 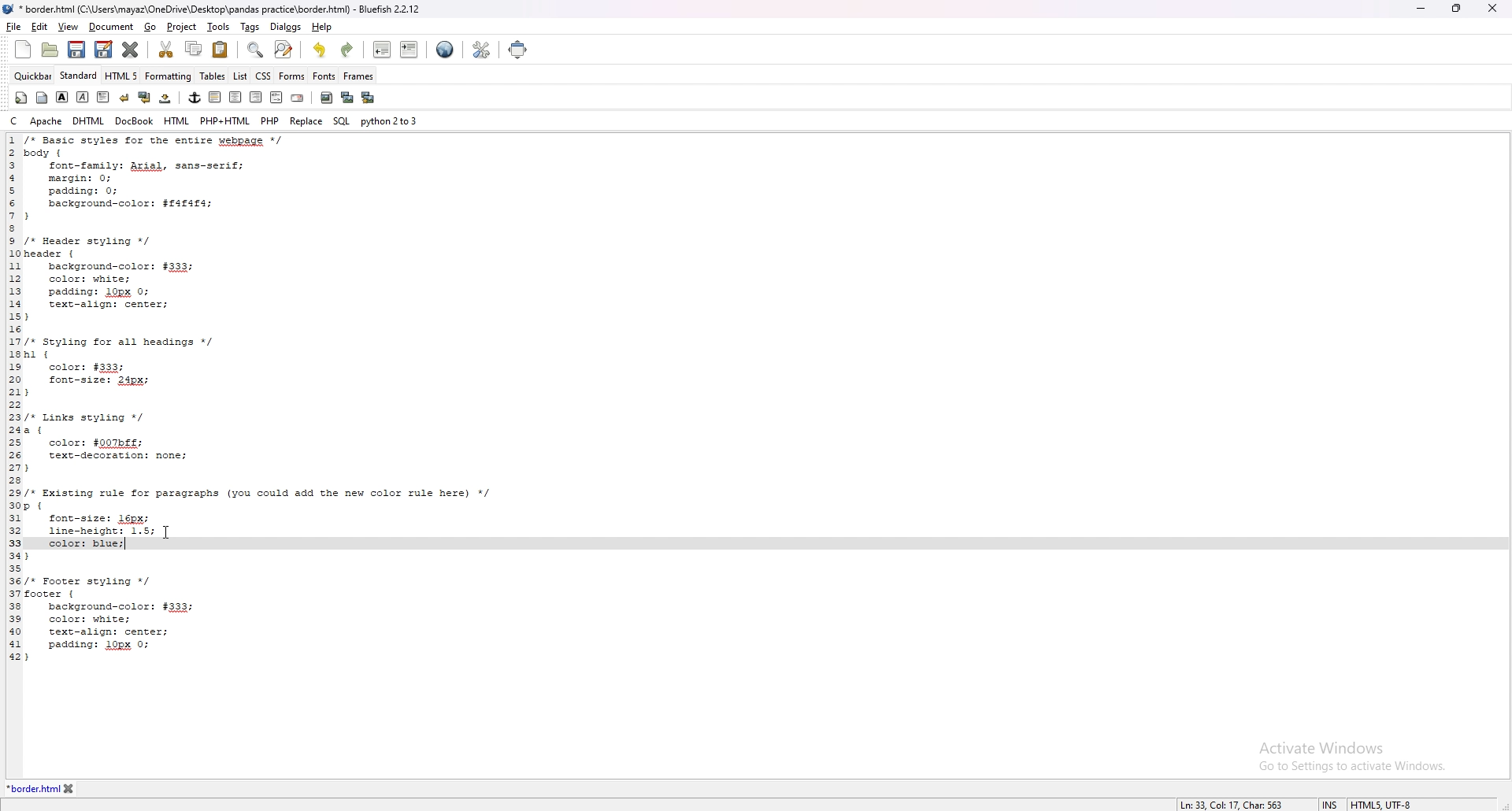 I want to click on quickbar, so click(x=34, y=76).